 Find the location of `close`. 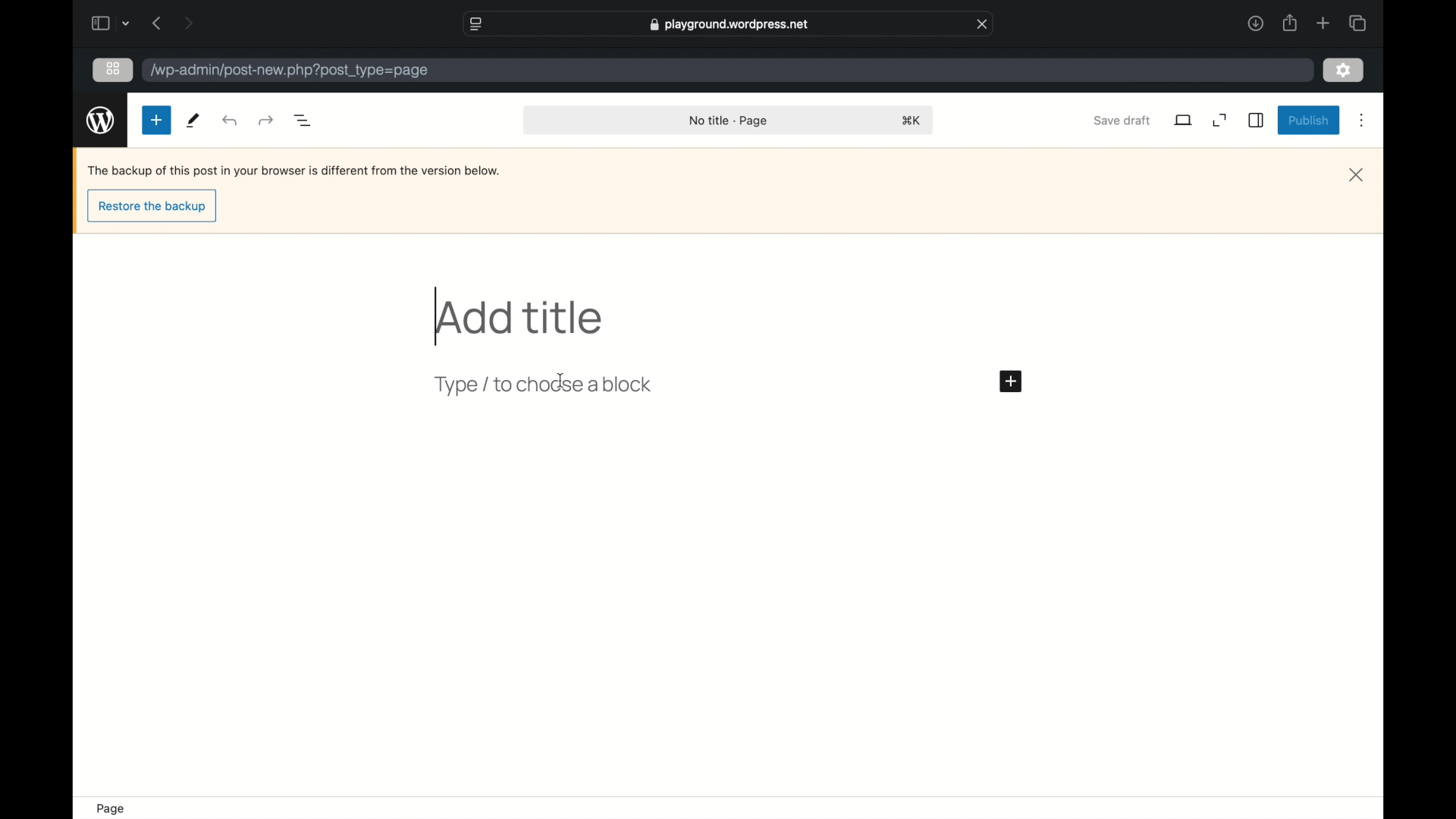

close is located at coordinates (1357, 175).